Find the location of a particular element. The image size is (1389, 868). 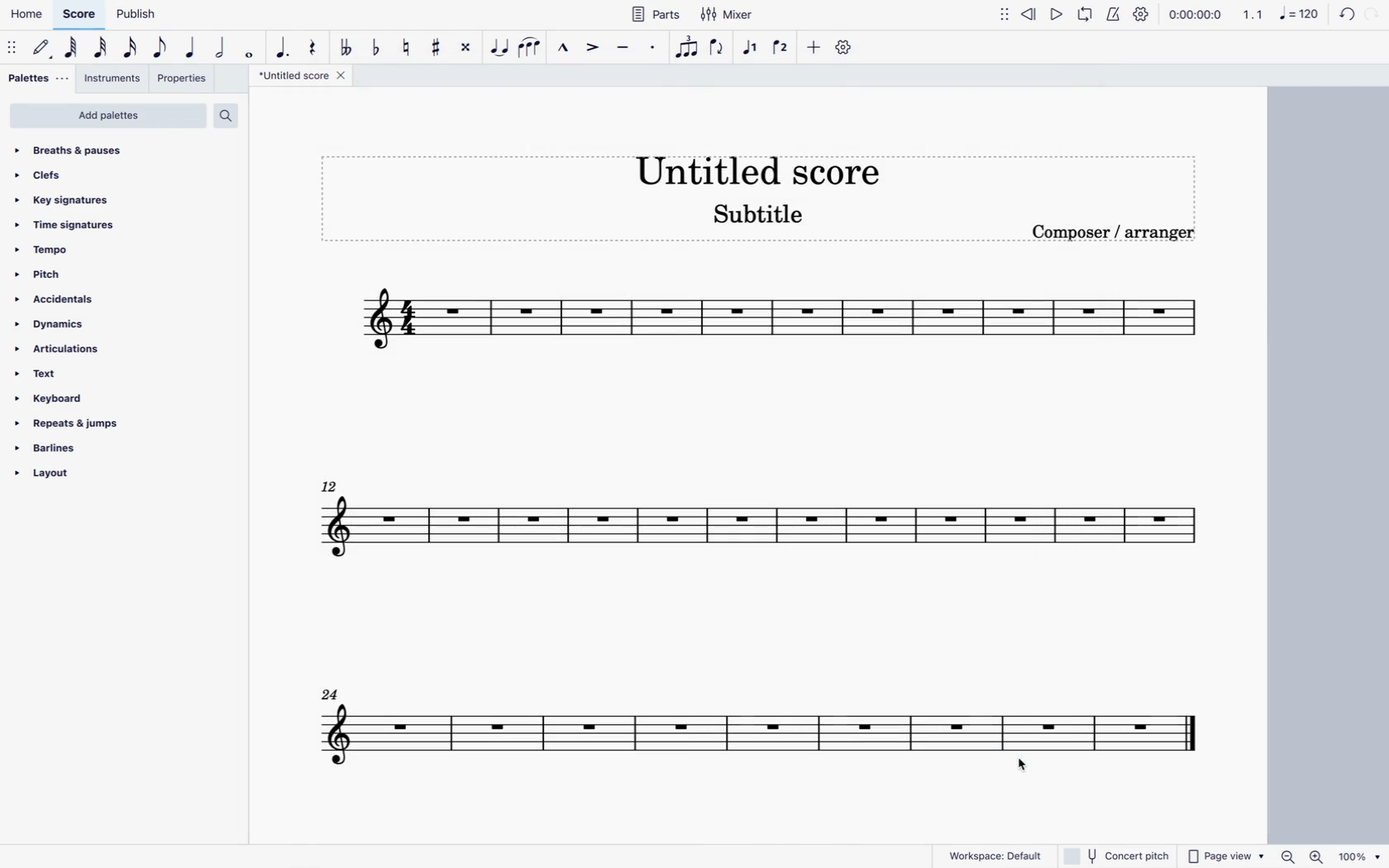

settings is located at coordinates (843, 51).